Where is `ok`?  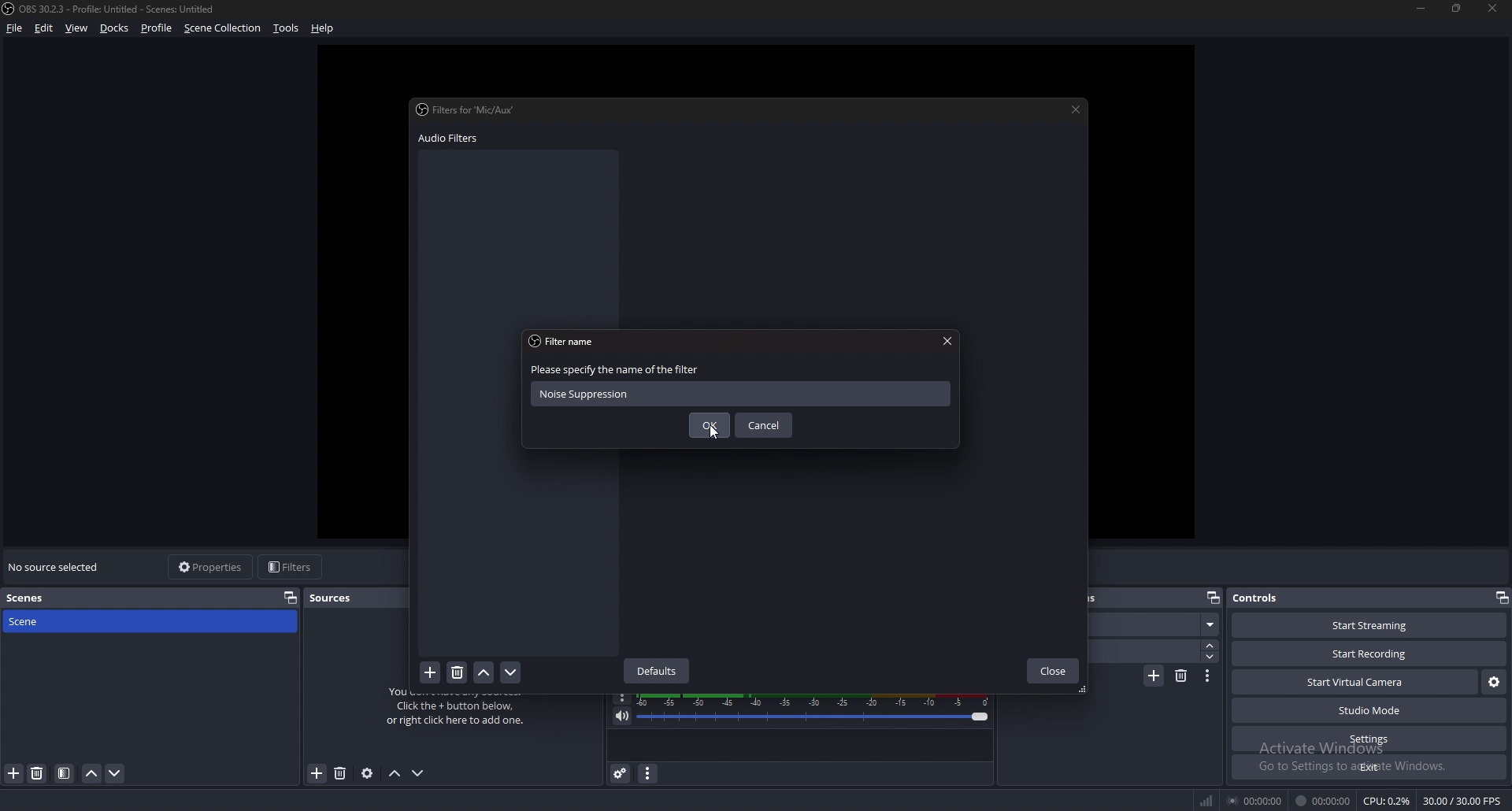
ok is located at coordinates (706, 428).